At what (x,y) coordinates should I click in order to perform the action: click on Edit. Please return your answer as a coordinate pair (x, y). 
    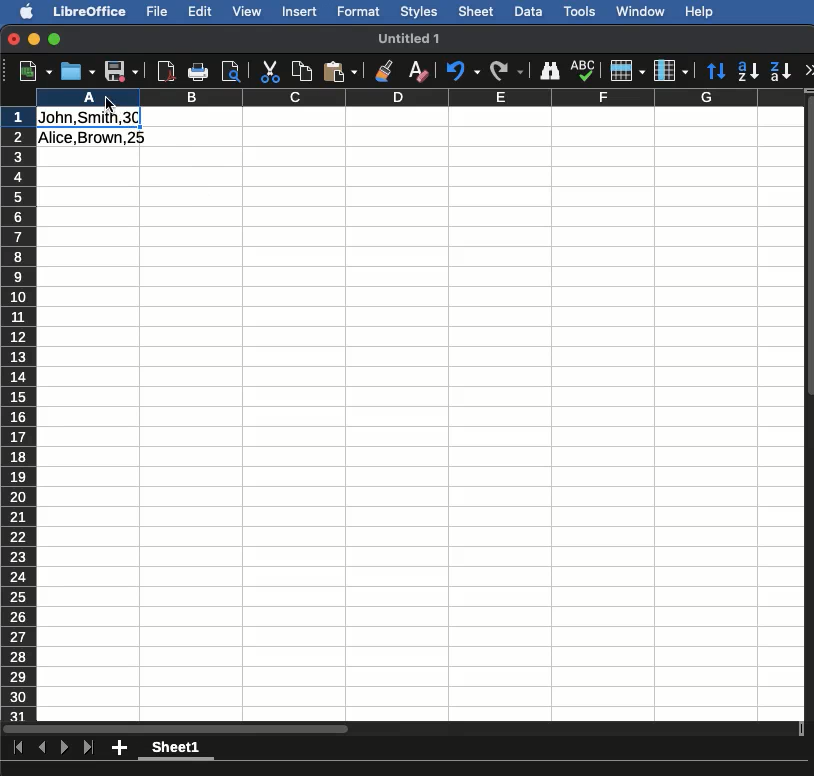
    Looking at the image, I should click on (200, 10).